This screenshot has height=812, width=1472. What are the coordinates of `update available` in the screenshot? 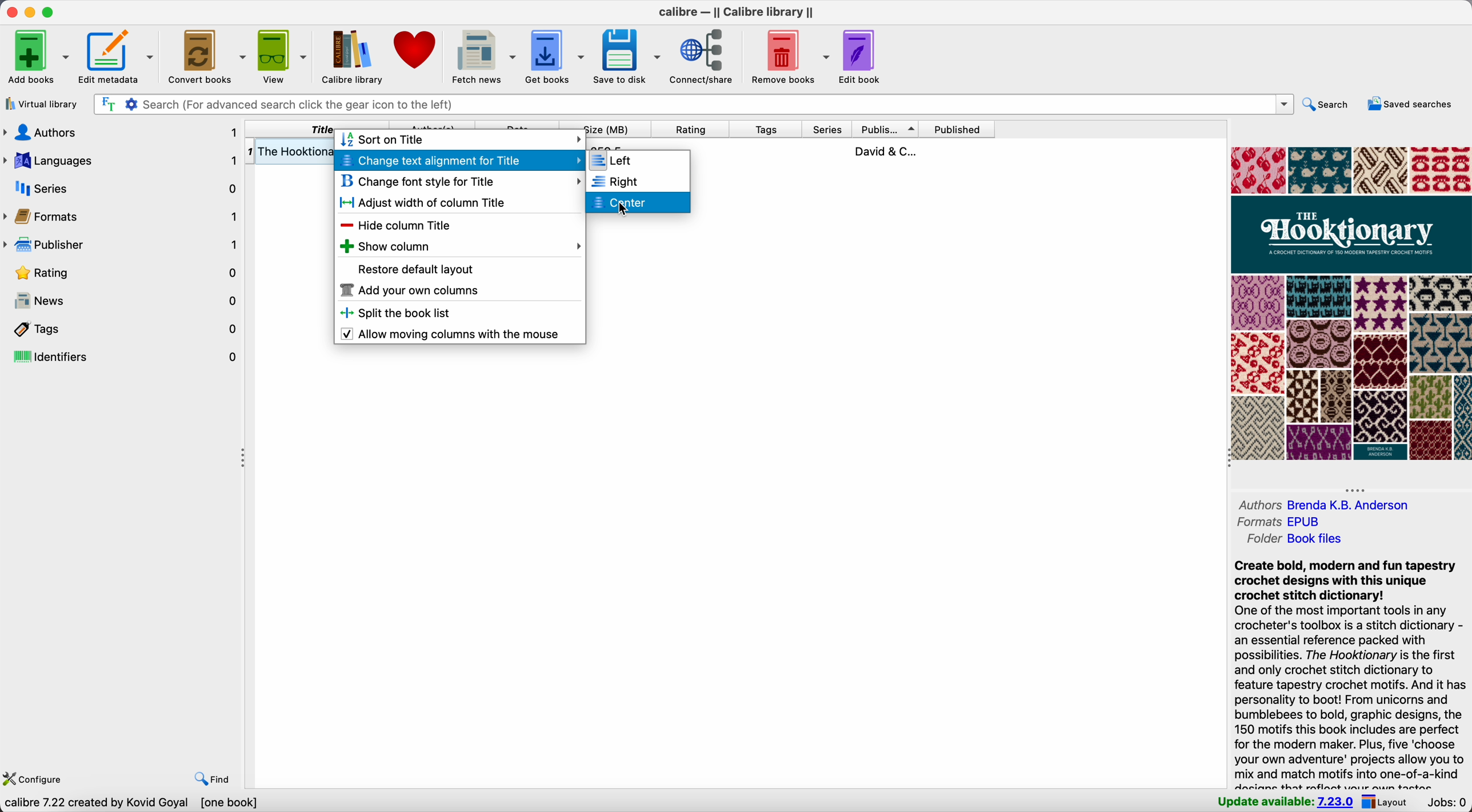 It's located at (1287, 800).